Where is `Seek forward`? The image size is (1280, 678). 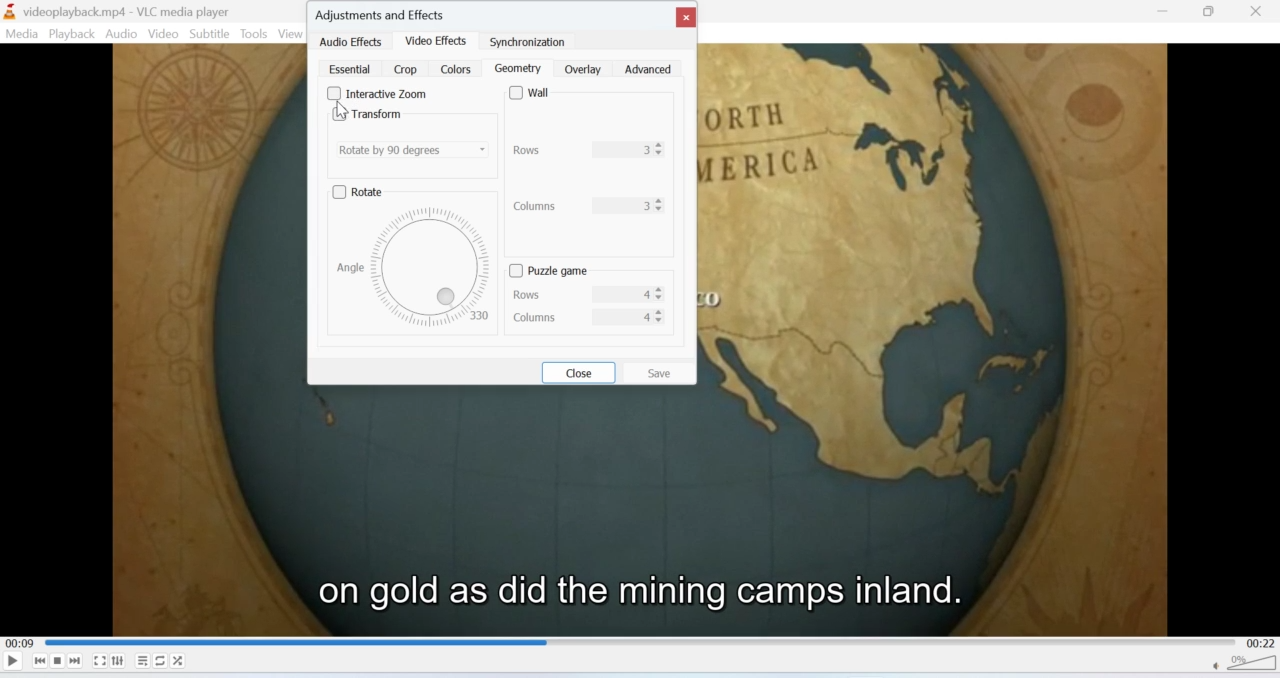 Seek forward is located at coordinates (76, 661).